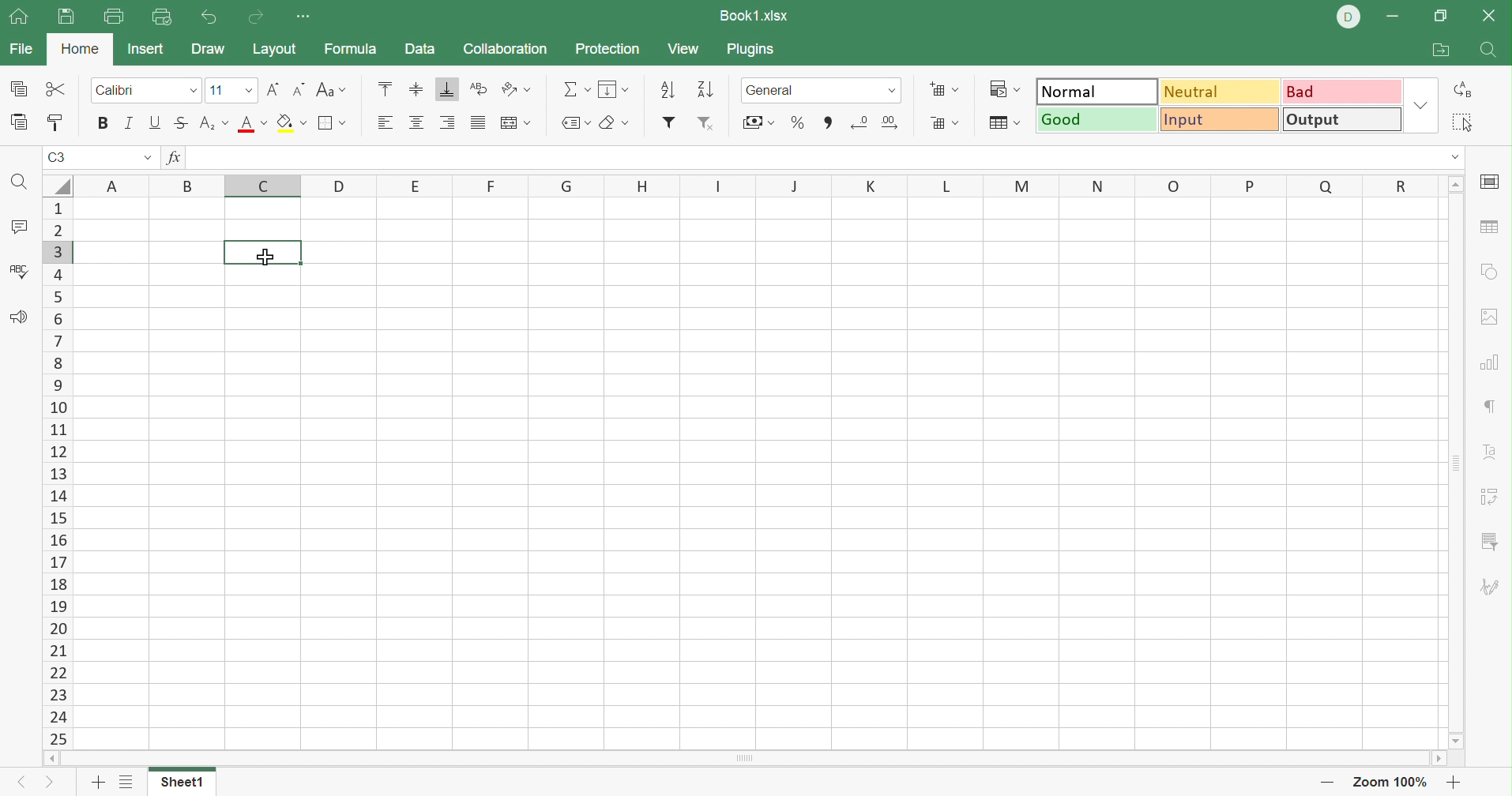 This screenshot has width=1512, height=796. Describe the element at coordinates (1327, 785) in the screenshot. I see `Zoom out` at that location.